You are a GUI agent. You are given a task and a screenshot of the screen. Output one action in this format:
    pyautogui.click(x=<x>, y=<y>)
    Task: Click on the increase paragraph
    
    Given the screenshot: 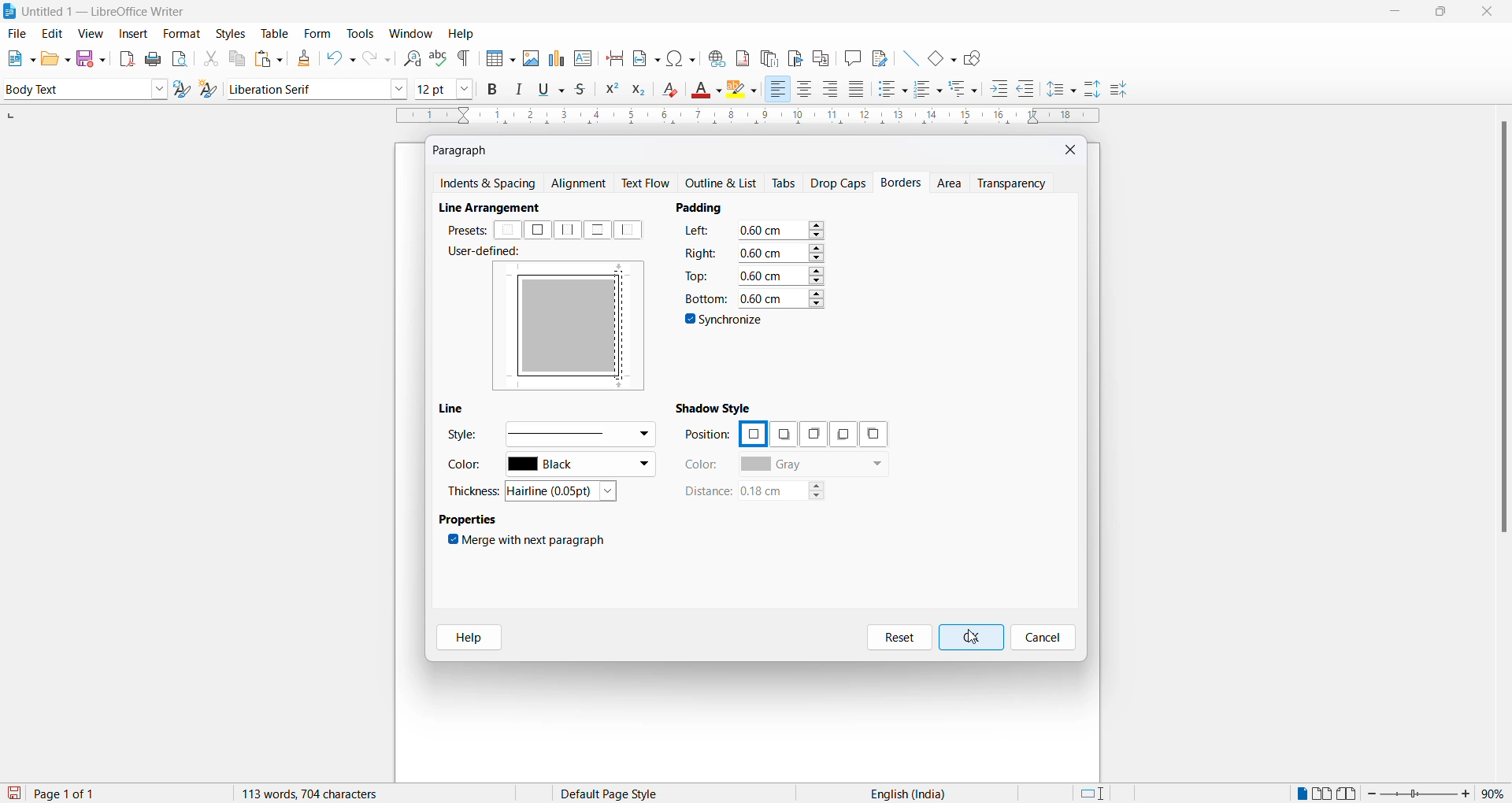 What is the action you would take?
    pyautogui.click(x=1093, y=90)
    